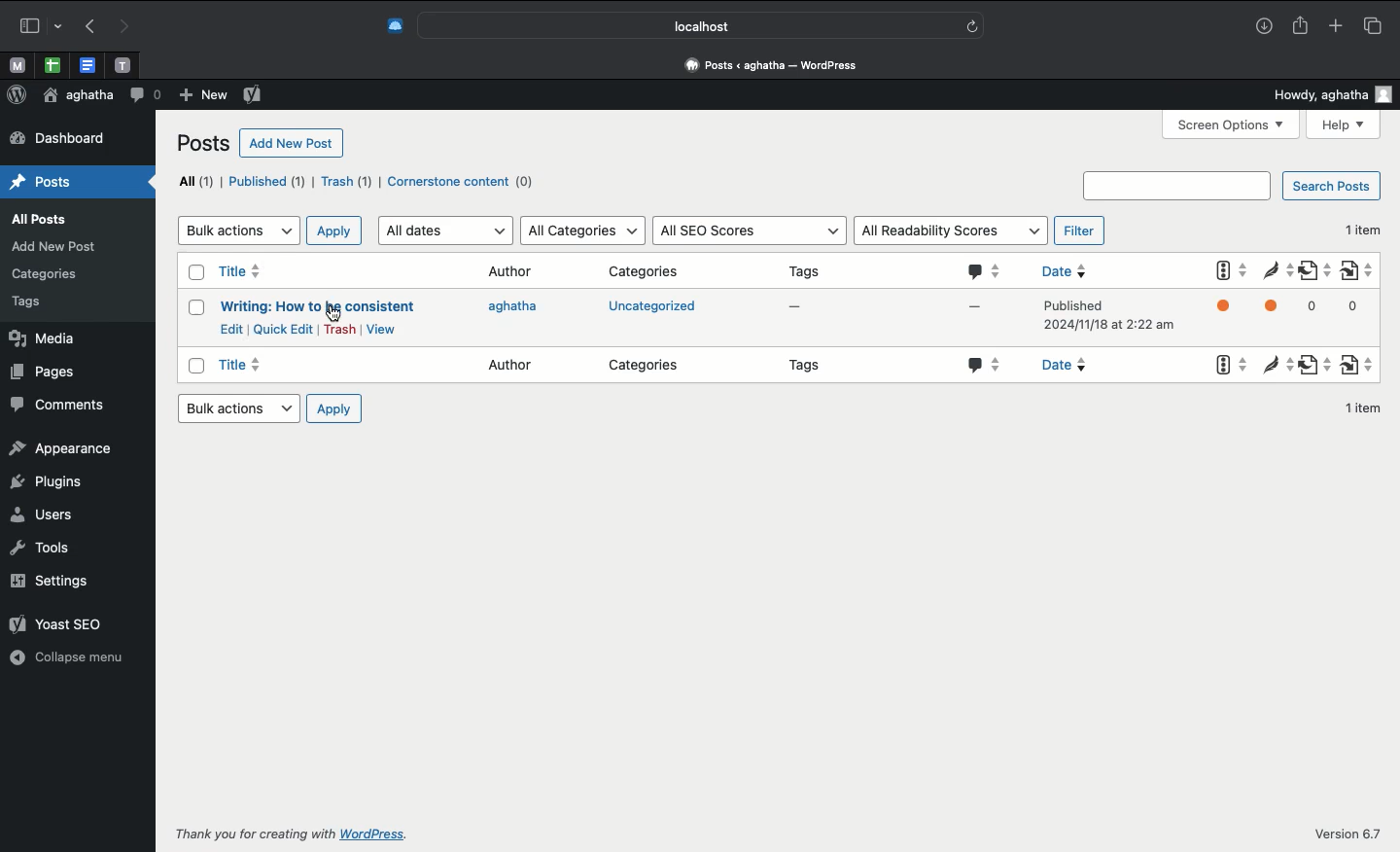  What do you see at coordinates (26, 303) in the screenshot?
I see `tags` at bounding box center [26, 303].